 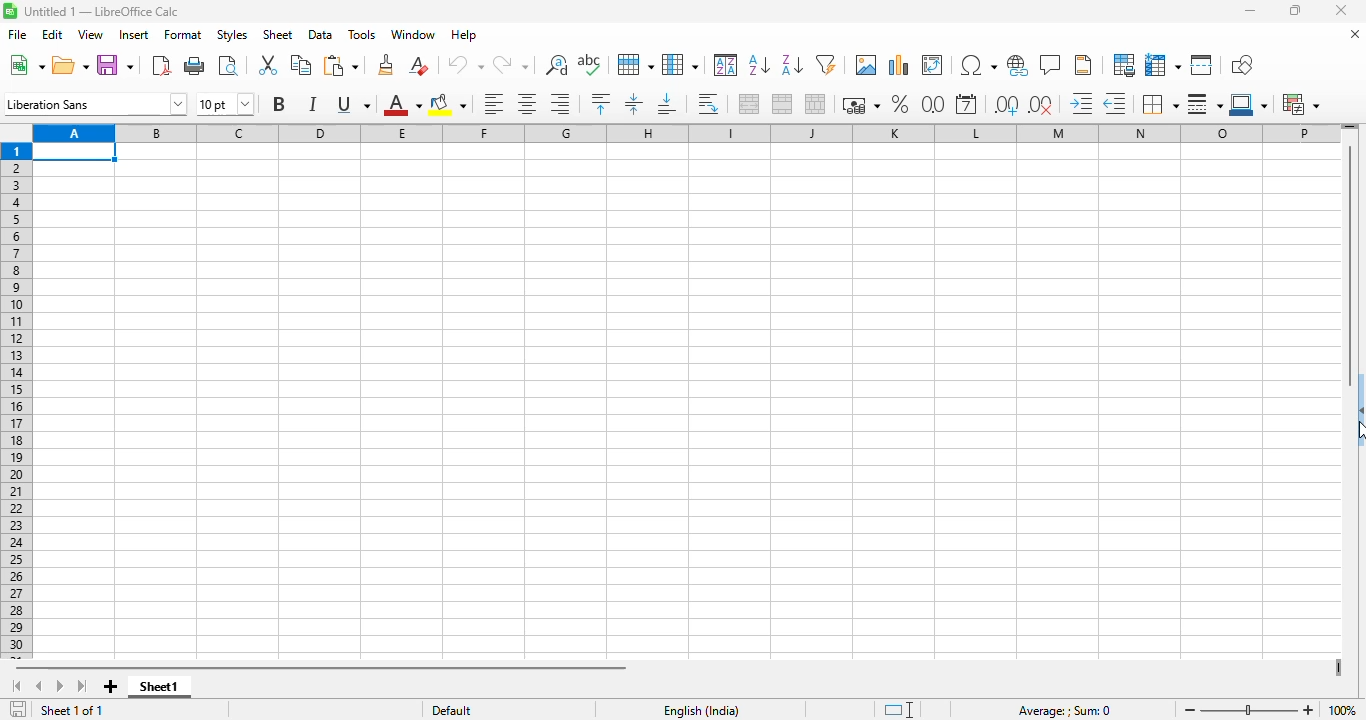 I want to click on autoFilter, so click(x=826, y=64).